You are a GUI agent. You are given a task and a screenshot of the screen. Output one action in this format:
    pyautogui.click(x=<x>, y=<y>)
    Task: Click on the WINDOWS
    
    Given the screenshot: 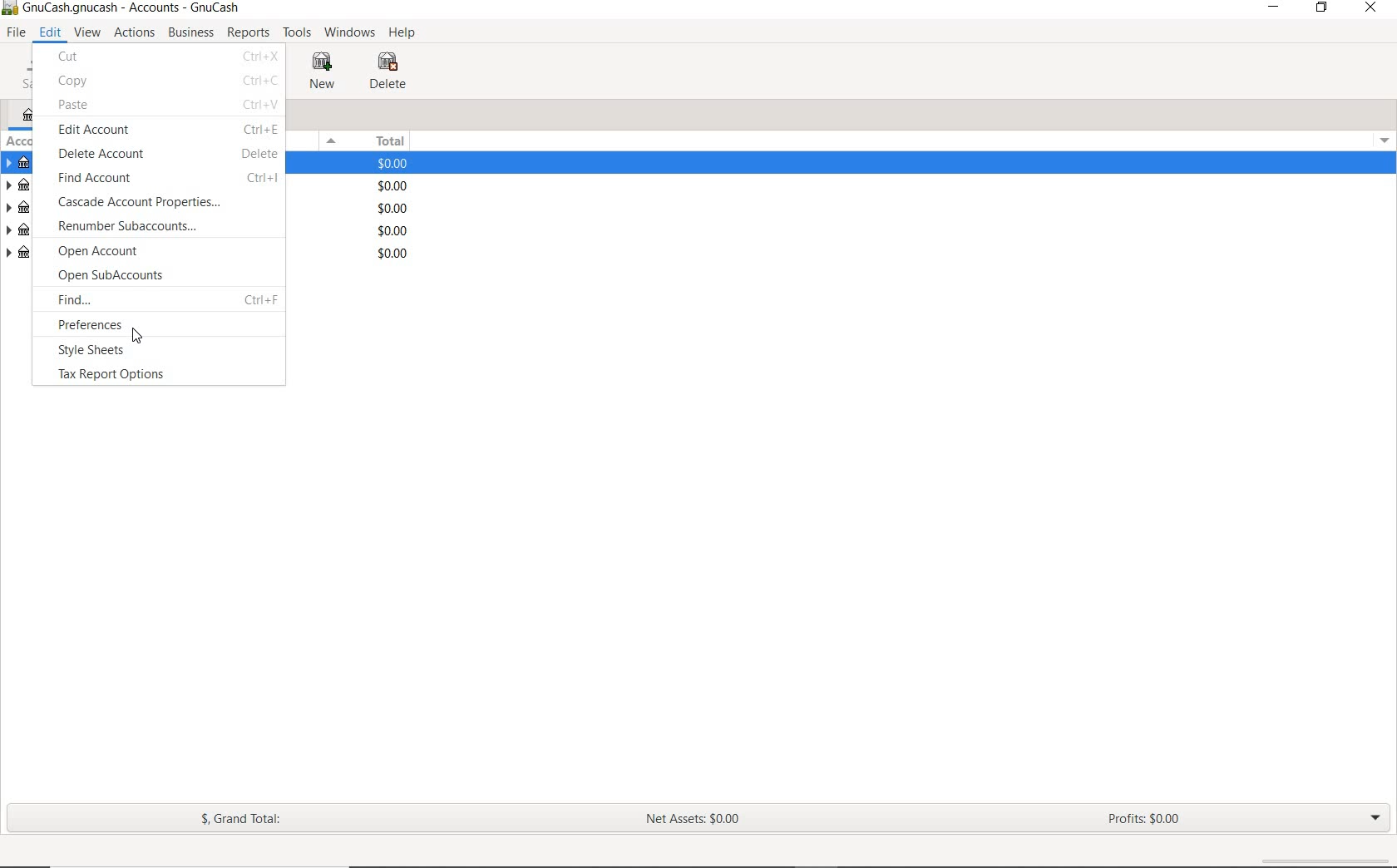 What is the action you would take?
    pyautogui.click(x=349, y=33)
    